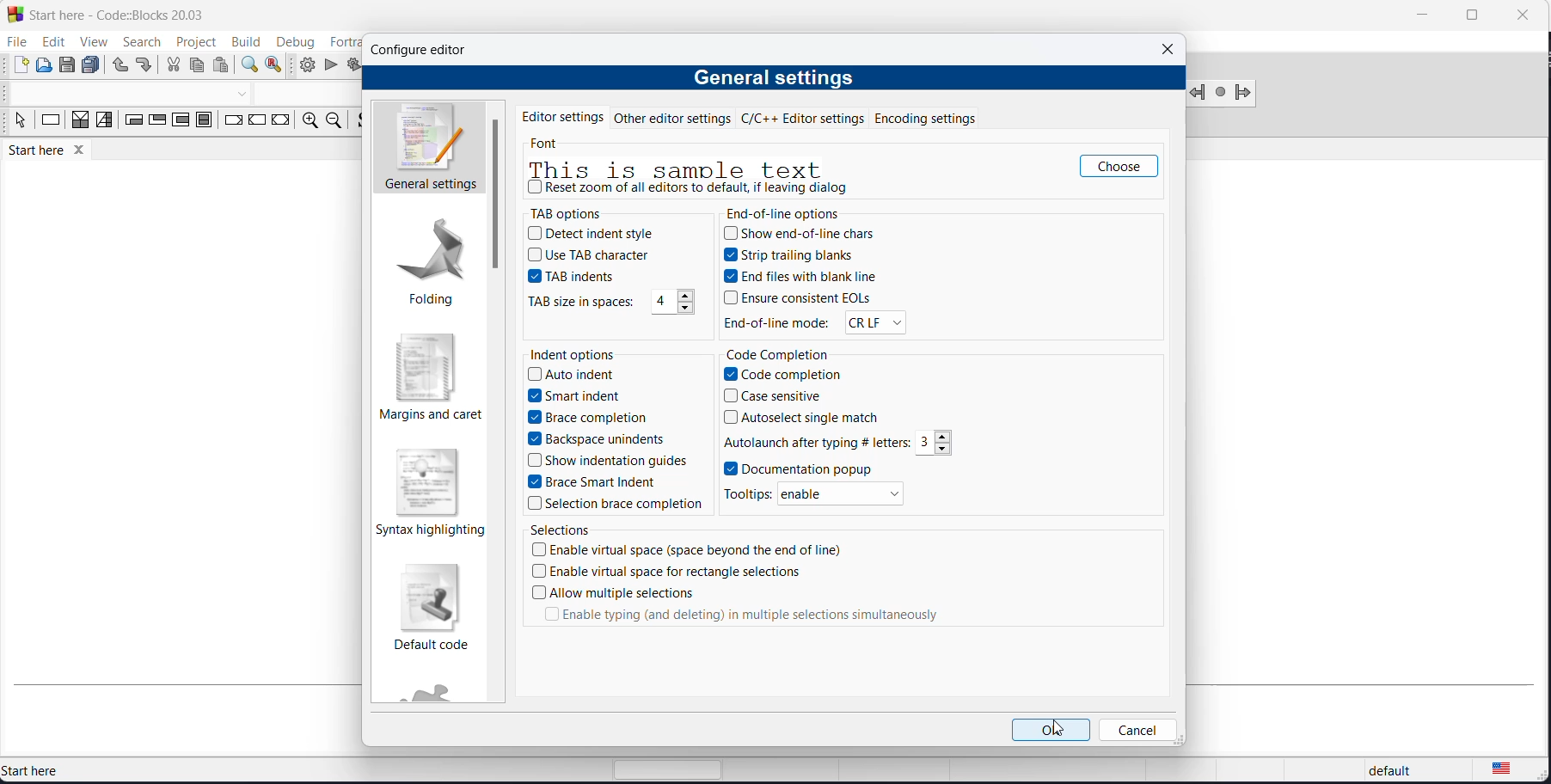  Describe the element at coordinates (816, 443) in the screenshot. I see `autolaunch values` at that location.